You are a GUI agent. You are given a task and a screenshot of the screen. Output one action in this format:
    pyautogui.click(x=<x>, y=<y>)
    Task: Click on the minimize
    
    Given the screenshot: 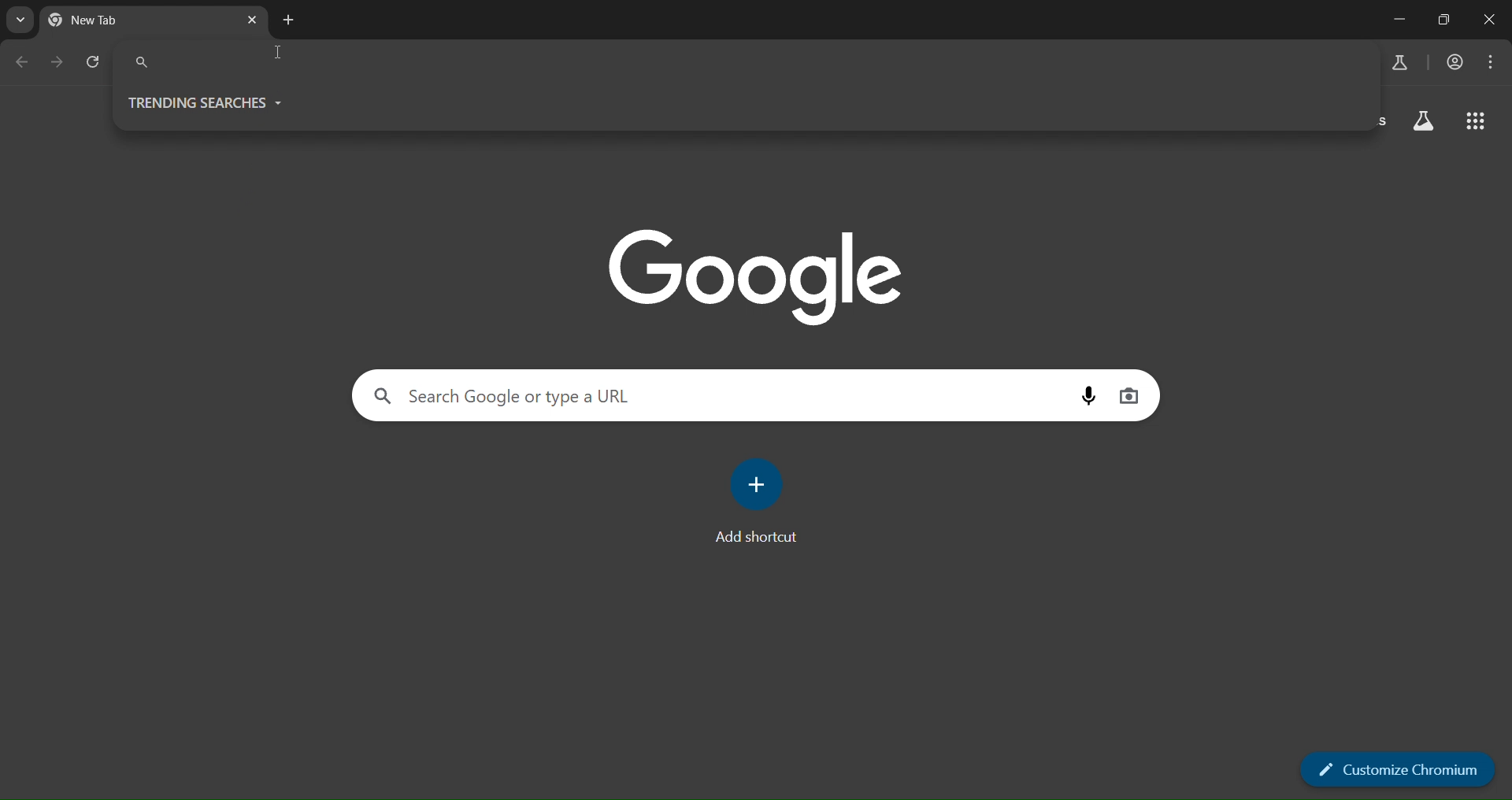 What is the action you would take?
    pyautogui.click(x=1395, y=17)
    